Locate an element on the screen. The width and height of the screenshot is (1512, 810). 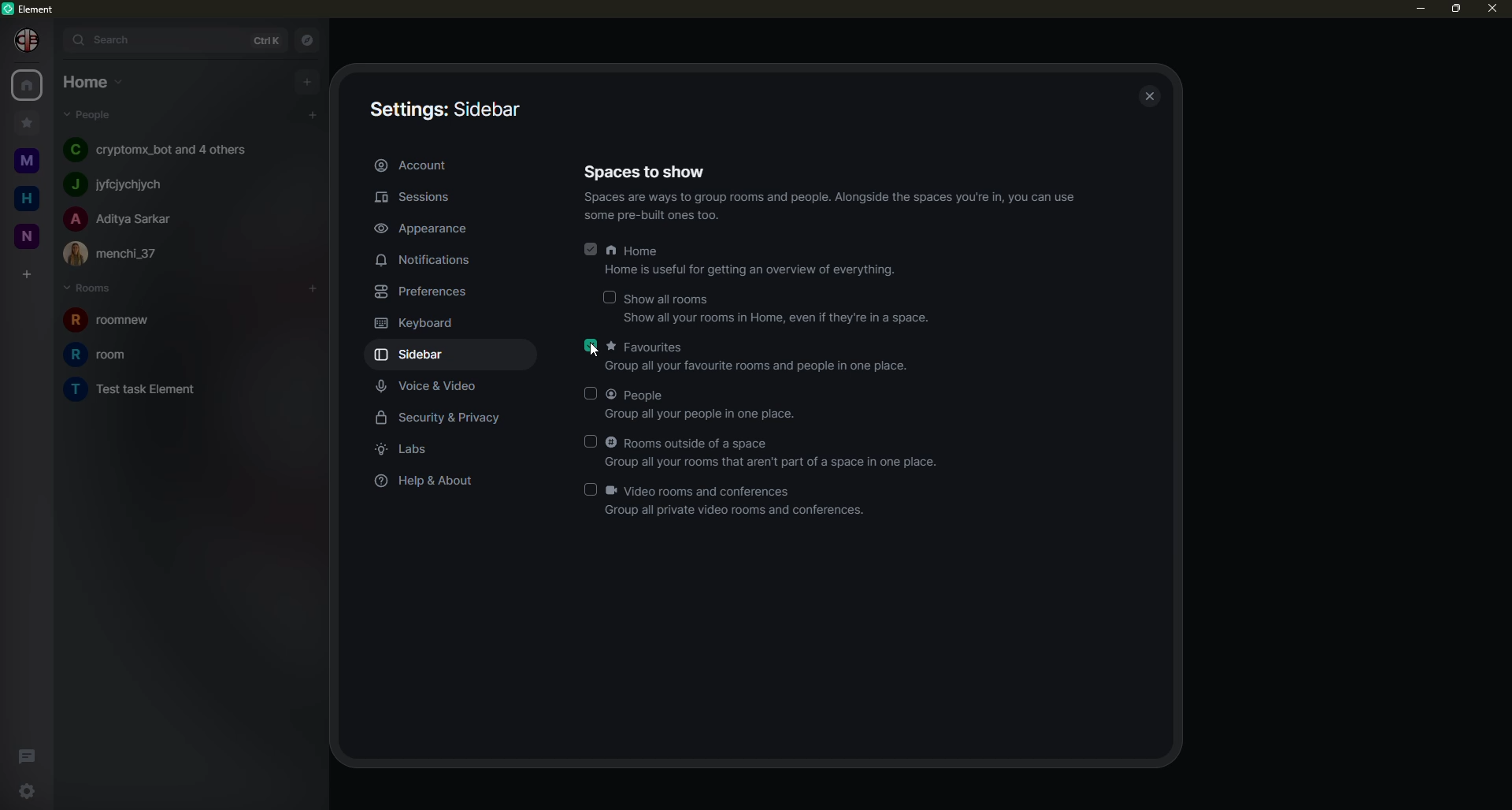
voice & video is located at coordinates (432, 387).